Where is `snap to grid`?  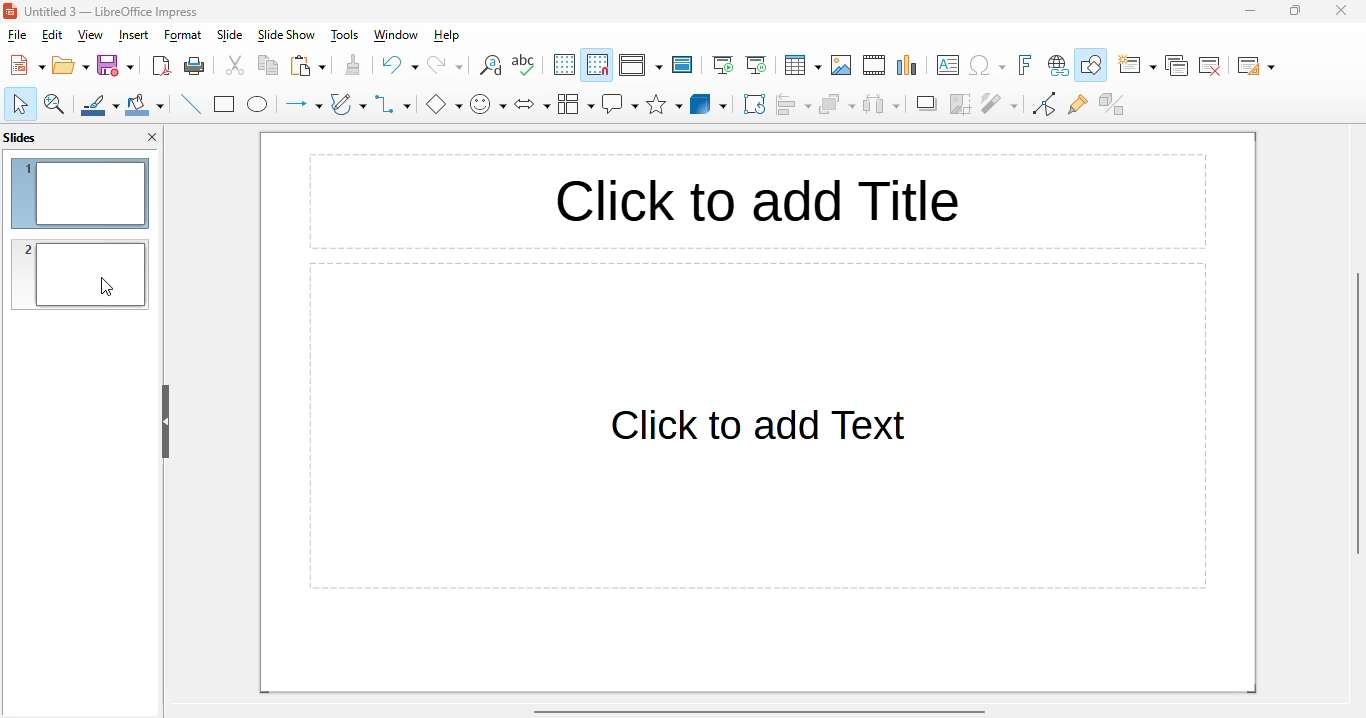 snap to grid is located at coordinates (597, 65).